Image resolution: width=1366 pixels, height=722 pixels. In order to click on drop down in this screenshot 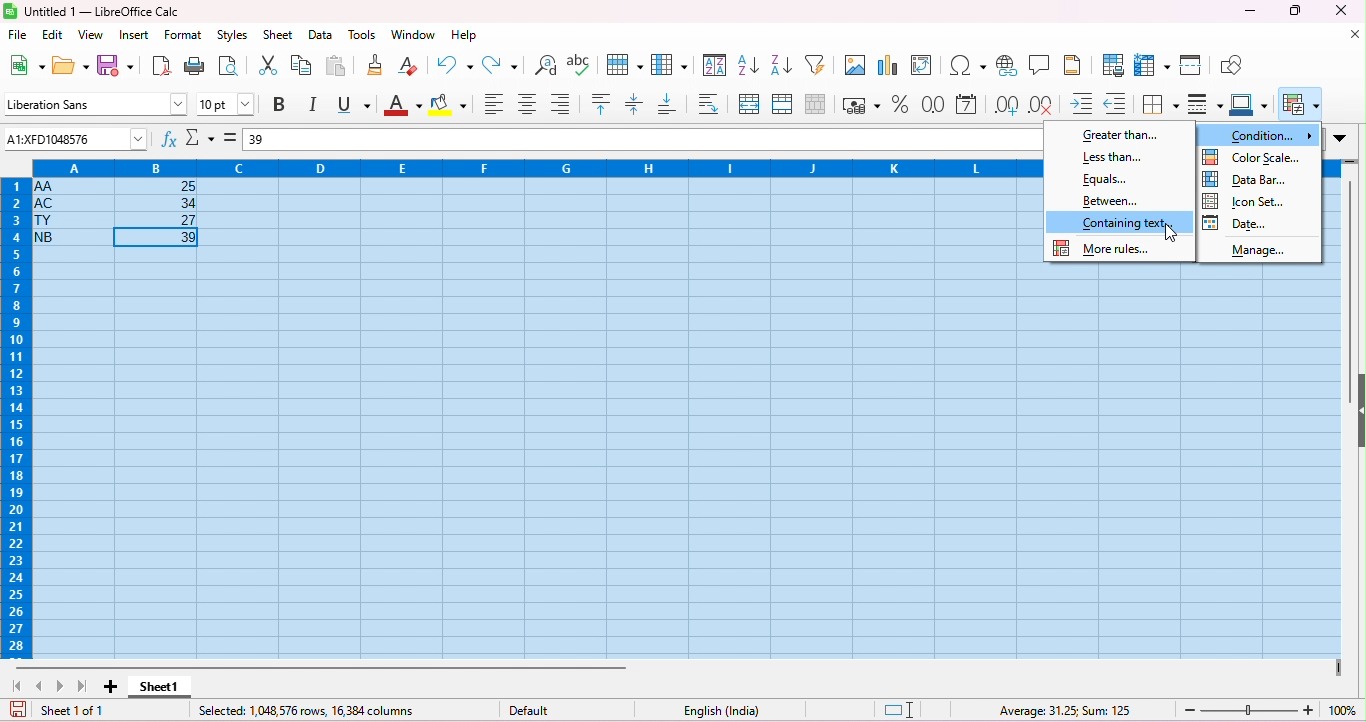, I will do `click(1342, 137)`.